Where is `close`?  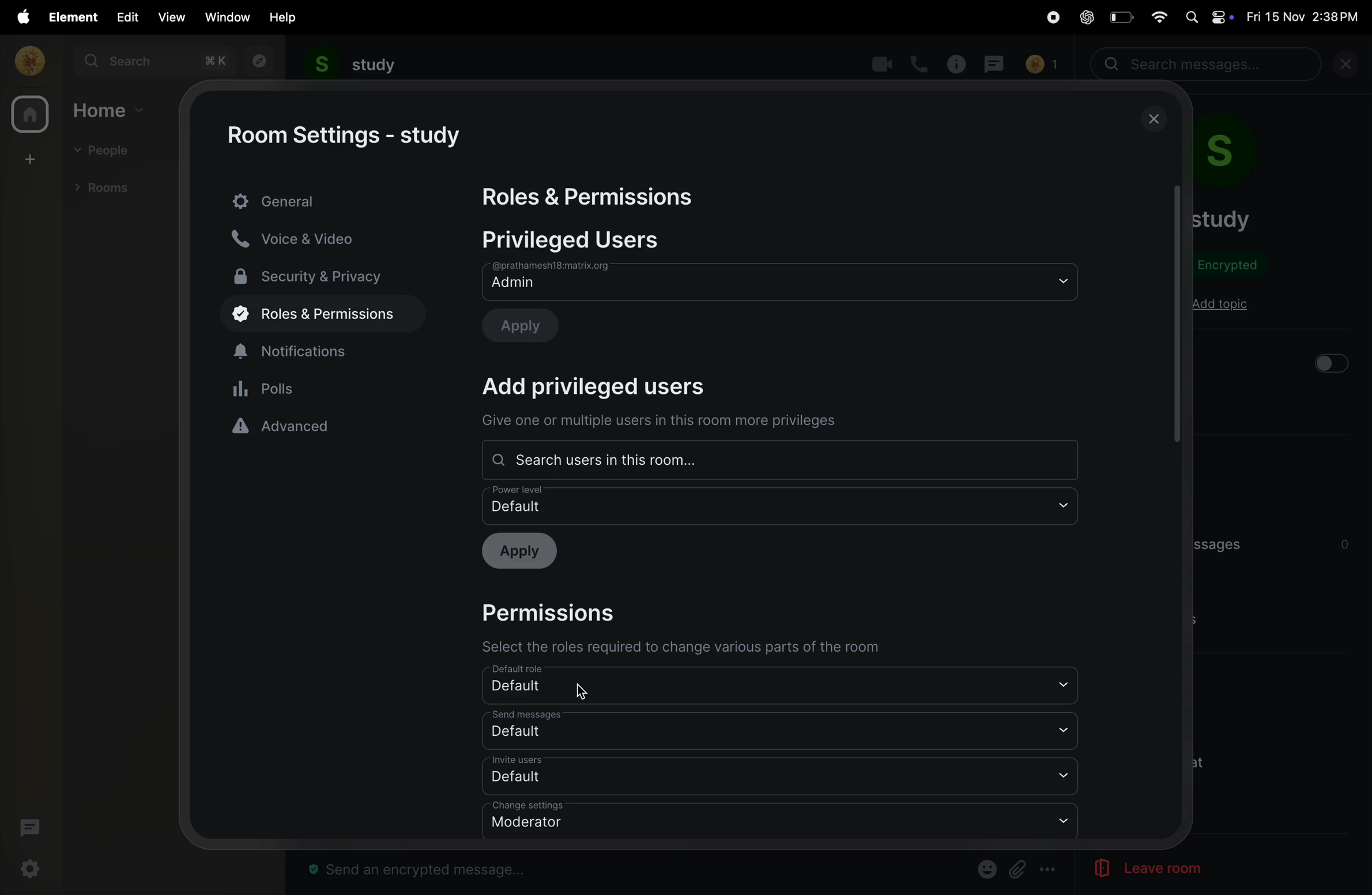 close is located at coordinates (1155, 119).